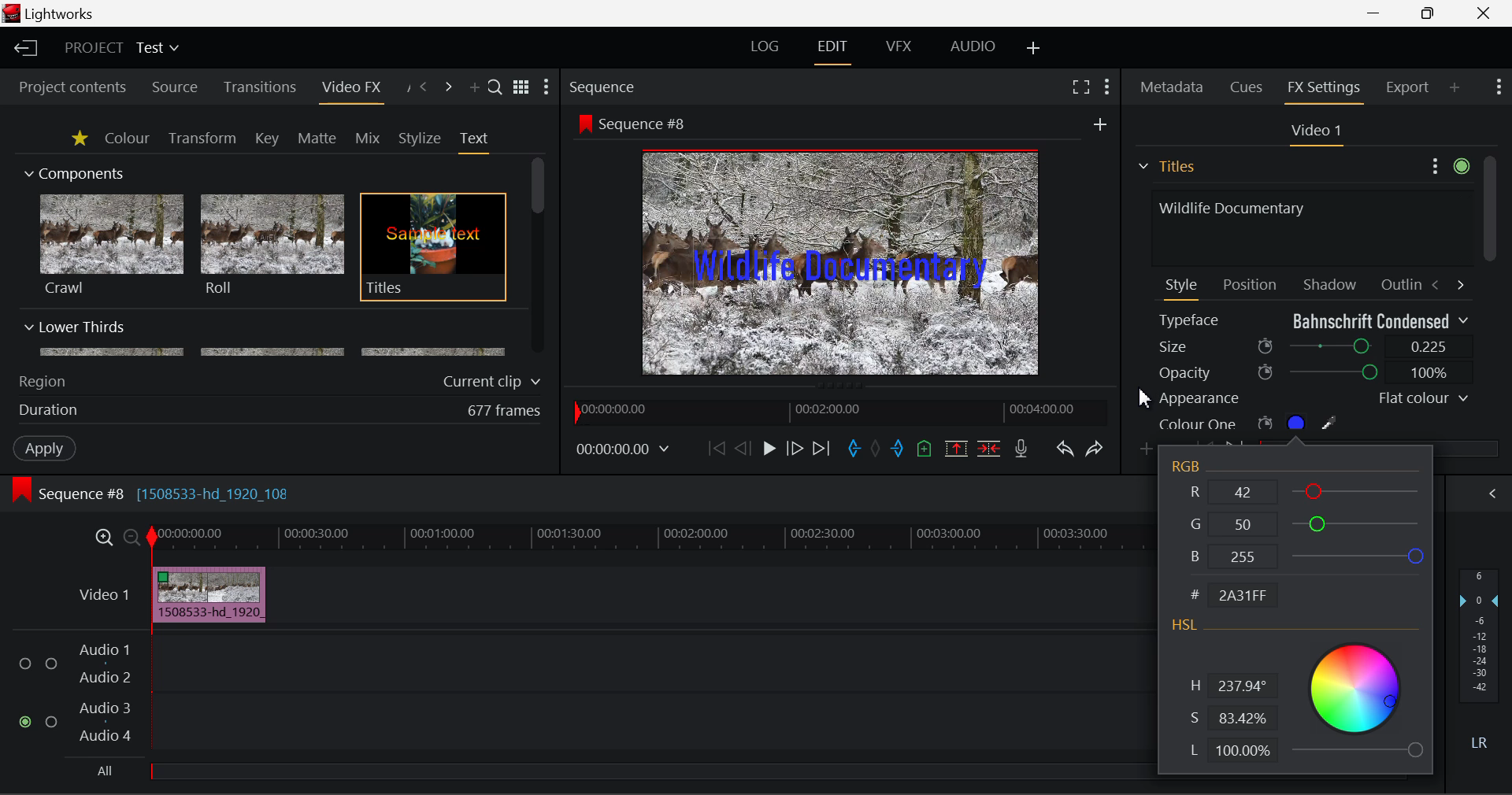 The image size is (1512, 795). What do you see at coordinates (649, 124) in the screenshot?
I see `Sequence #8` at bounding box center [649, 124].